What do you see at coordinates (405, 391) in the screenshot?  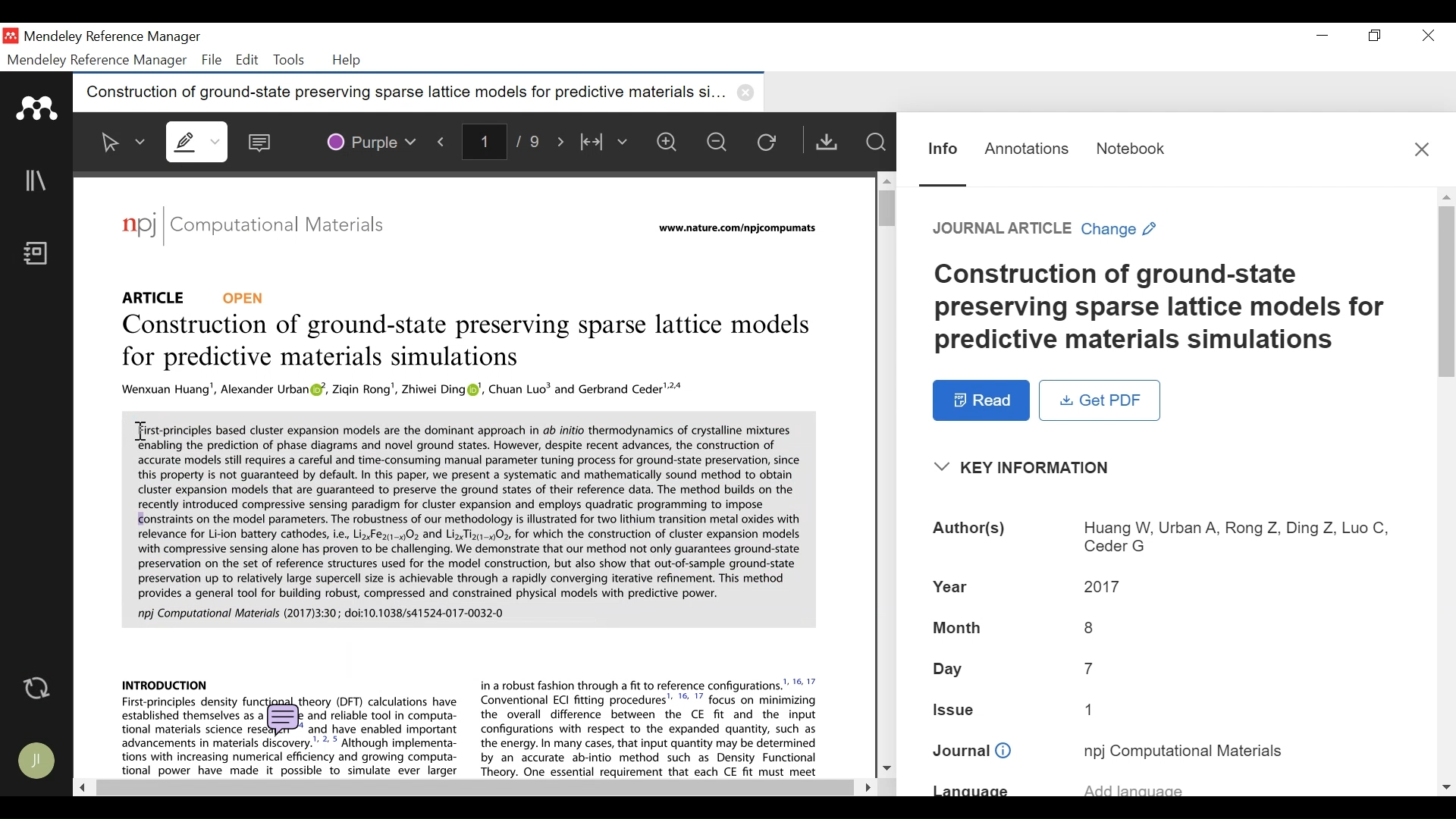 I see `PDF Context` at bounding box center [405, 391].